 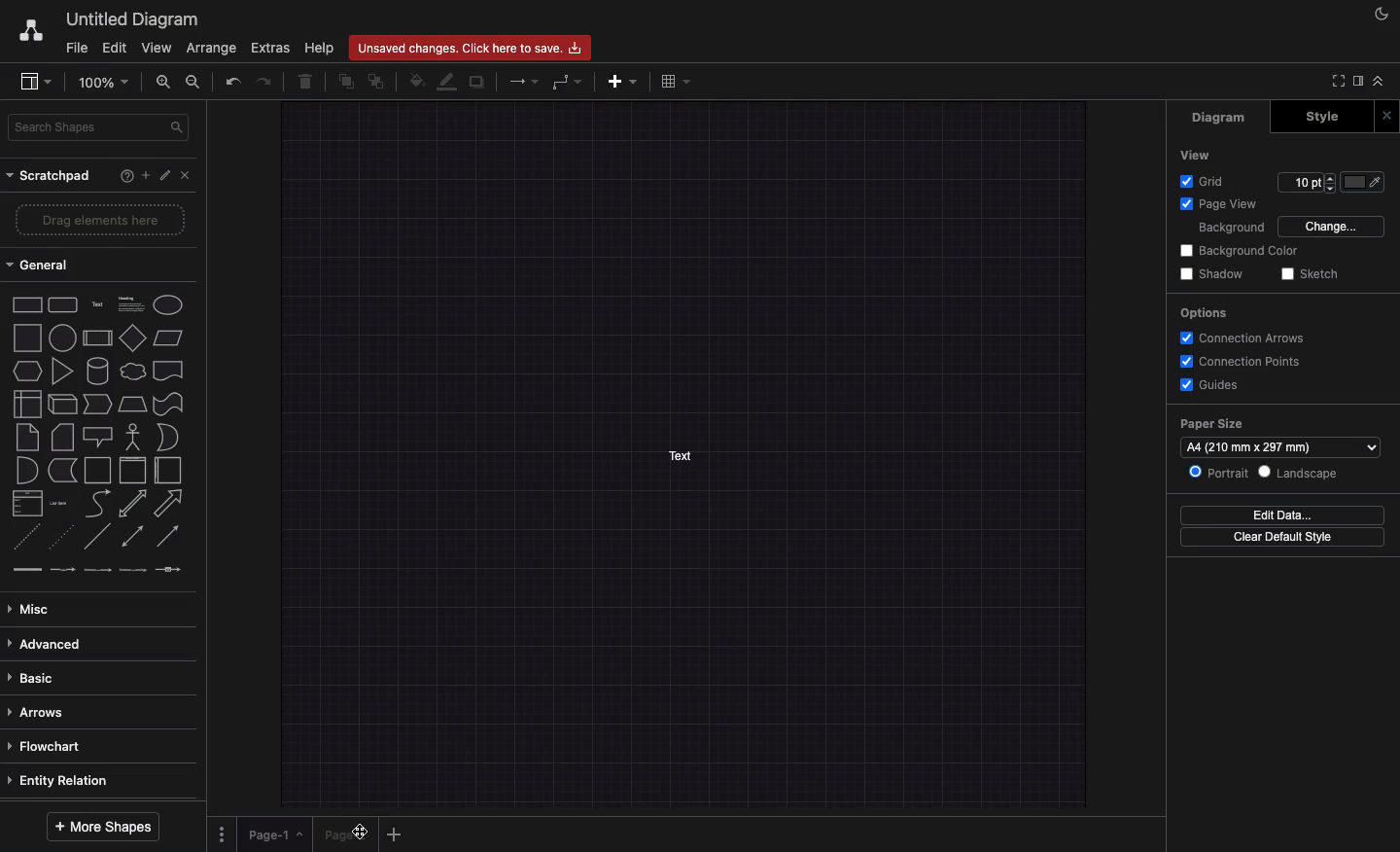 I want to click on Scratchpad, so click(x=53, y=175).